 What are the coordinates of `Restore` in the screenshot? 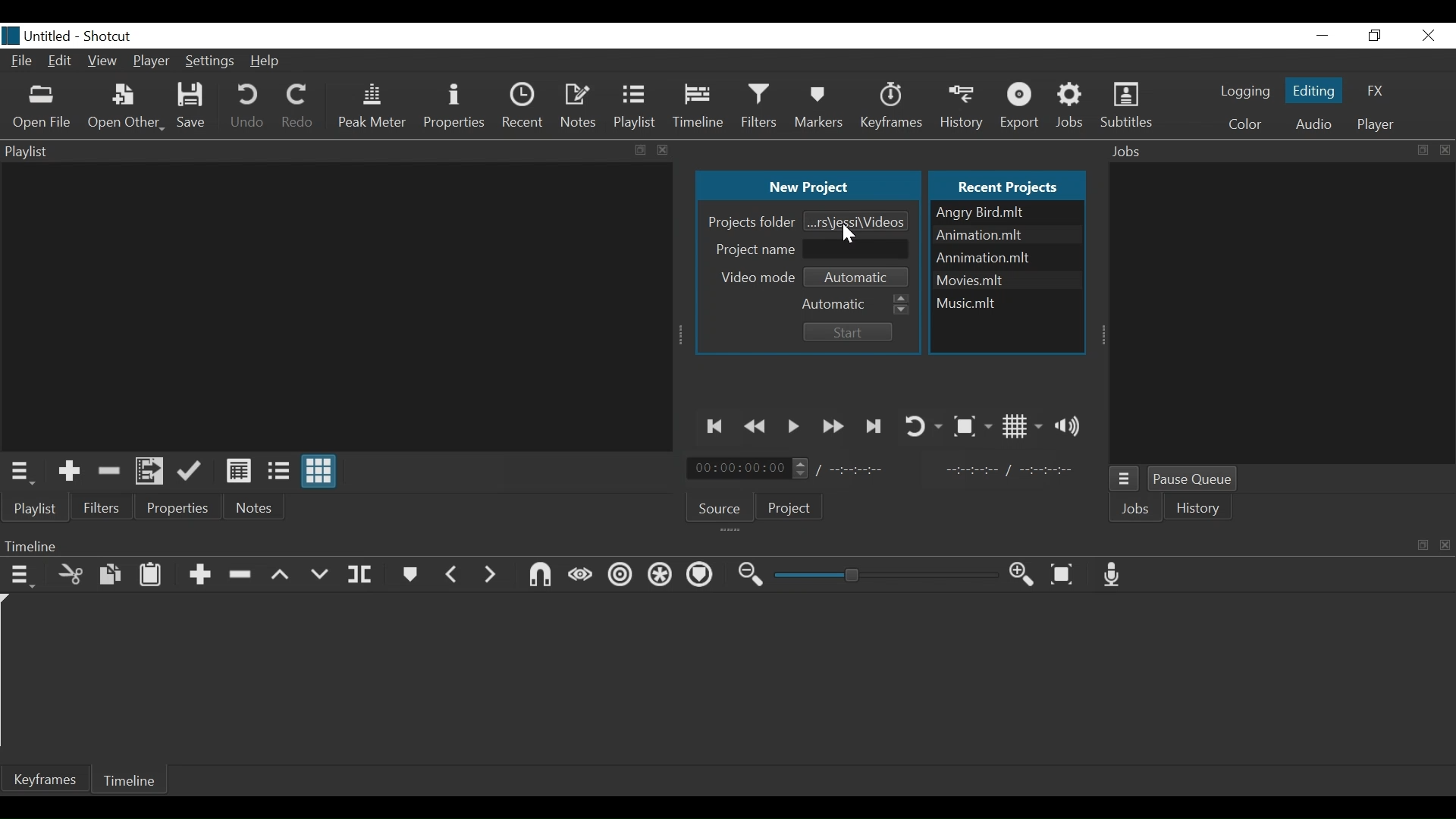 It's located at (1376, 35).